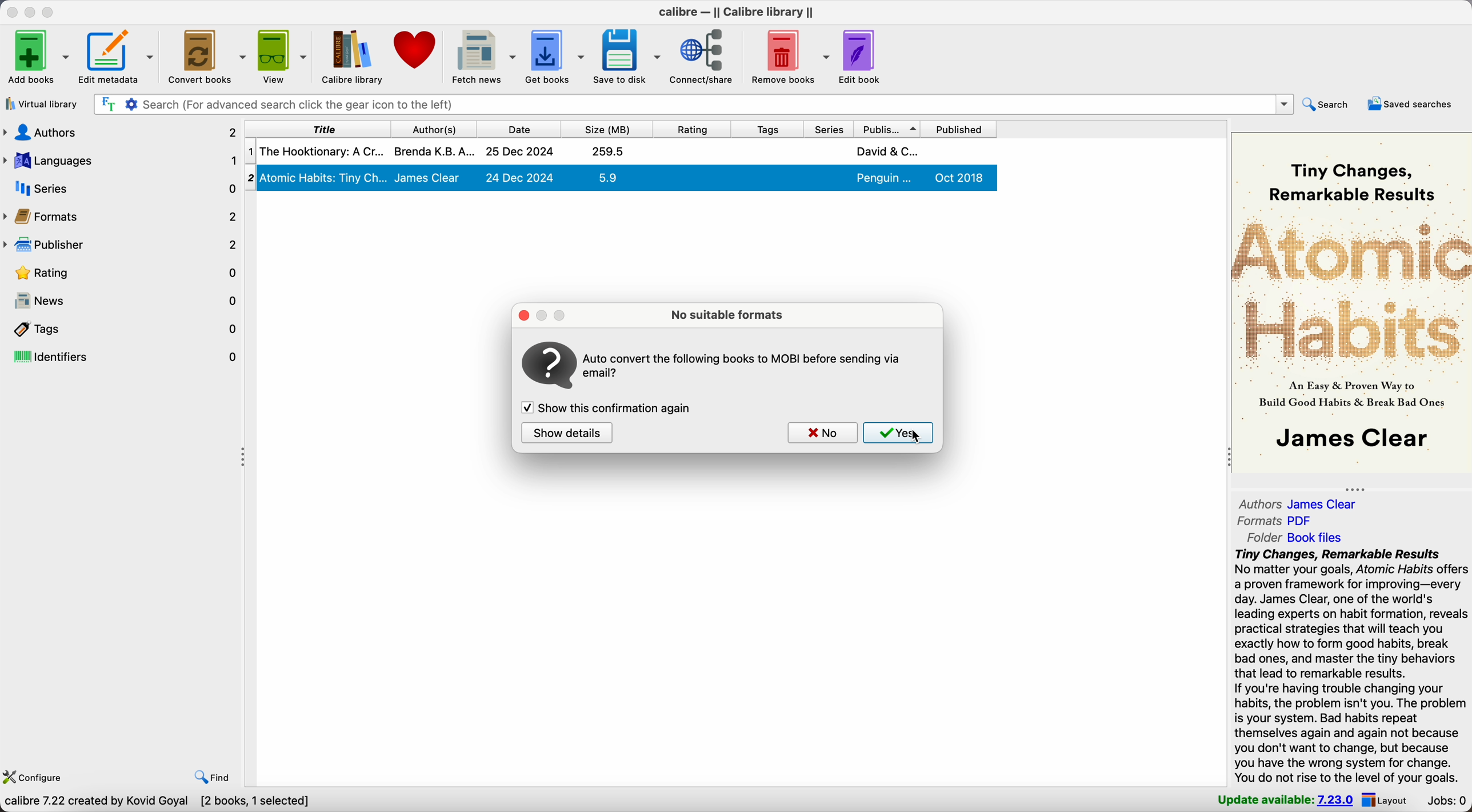  What do you see at coordinates (1348, 304) in the screenshot?
I see `oo Tiny Changes, ’
Remarkable Results
R # RP or
2 : 5 “An a & Proven Way to Sn
Build Good Habits & Break Bad Ones
| James Clear` at bounding box center [1348, 304].